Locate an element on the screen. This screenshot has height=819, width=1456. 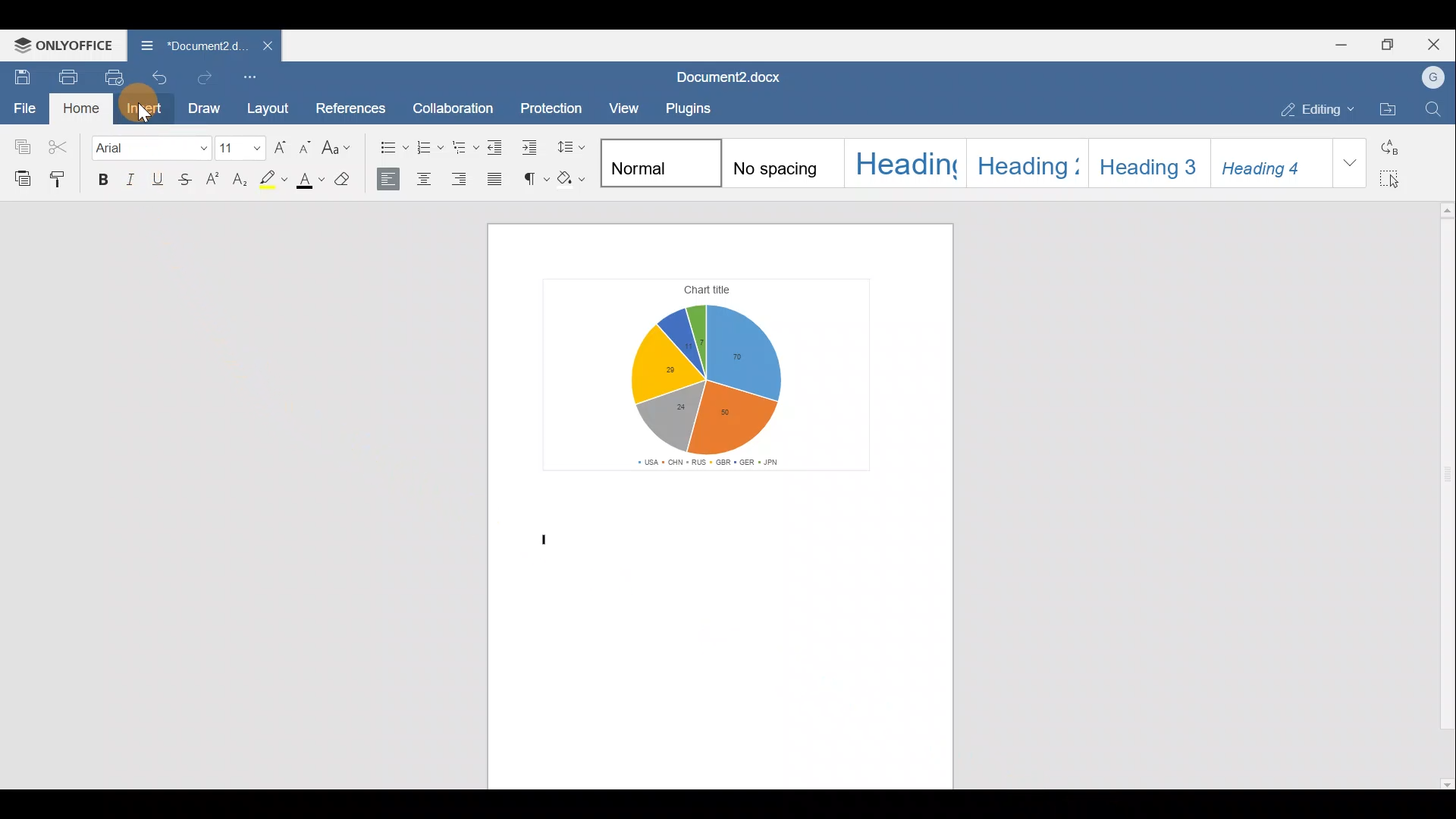
Document name is located at coordinates (184, 45).